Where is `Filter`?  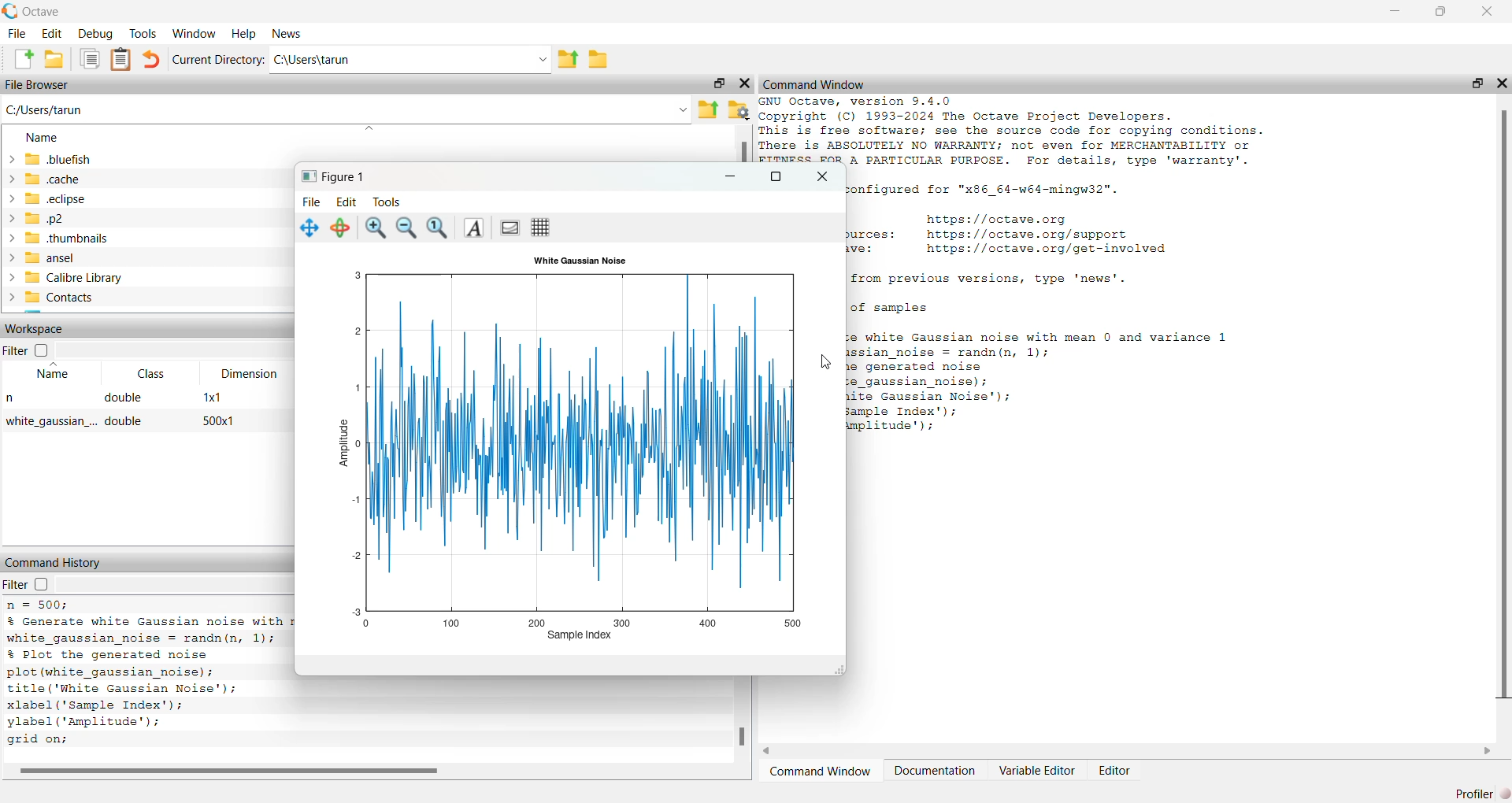
Filter is located at coordinates (15, 352).